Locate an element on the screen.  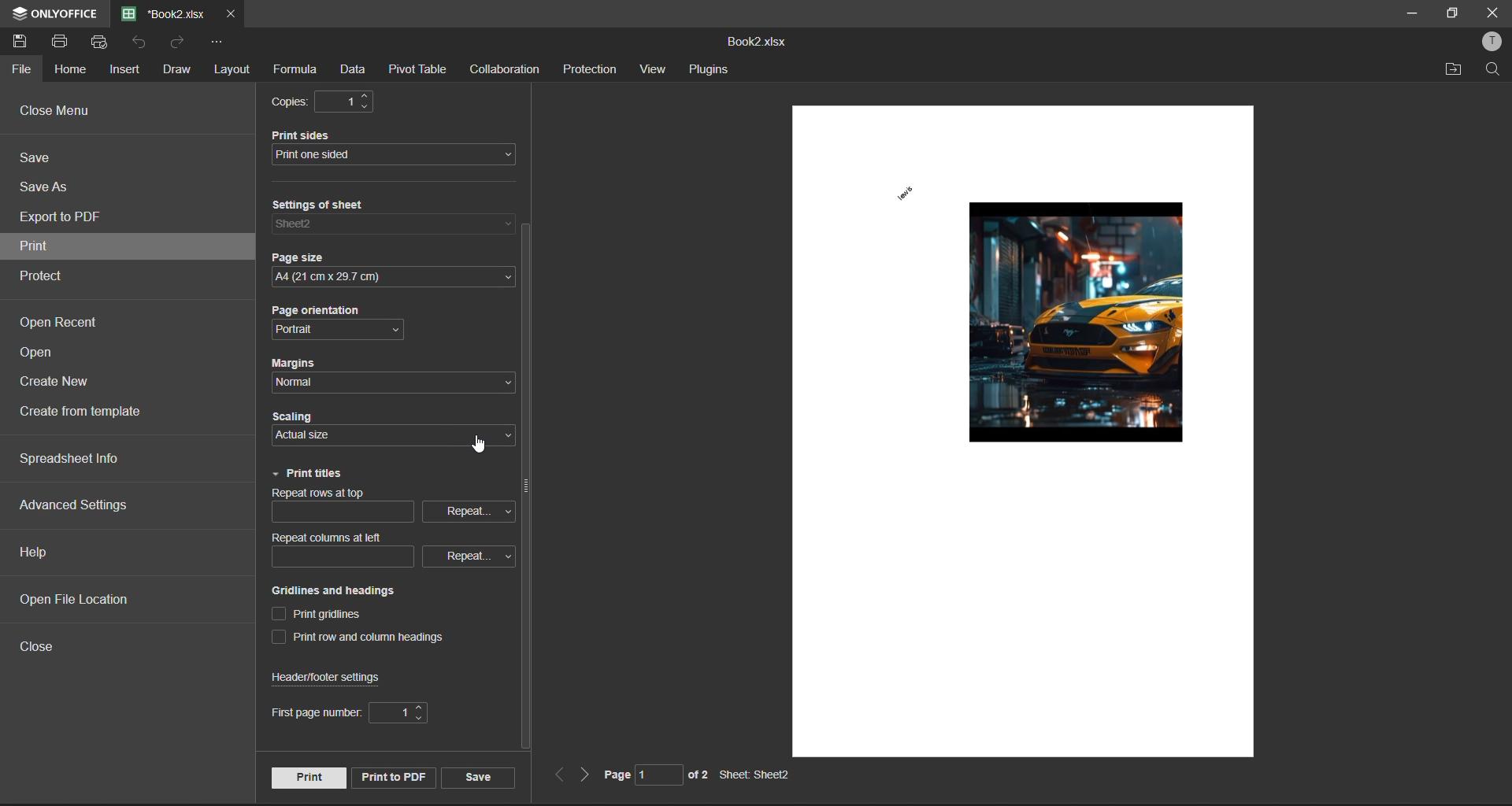
copies is located at coordinates (295, 102).